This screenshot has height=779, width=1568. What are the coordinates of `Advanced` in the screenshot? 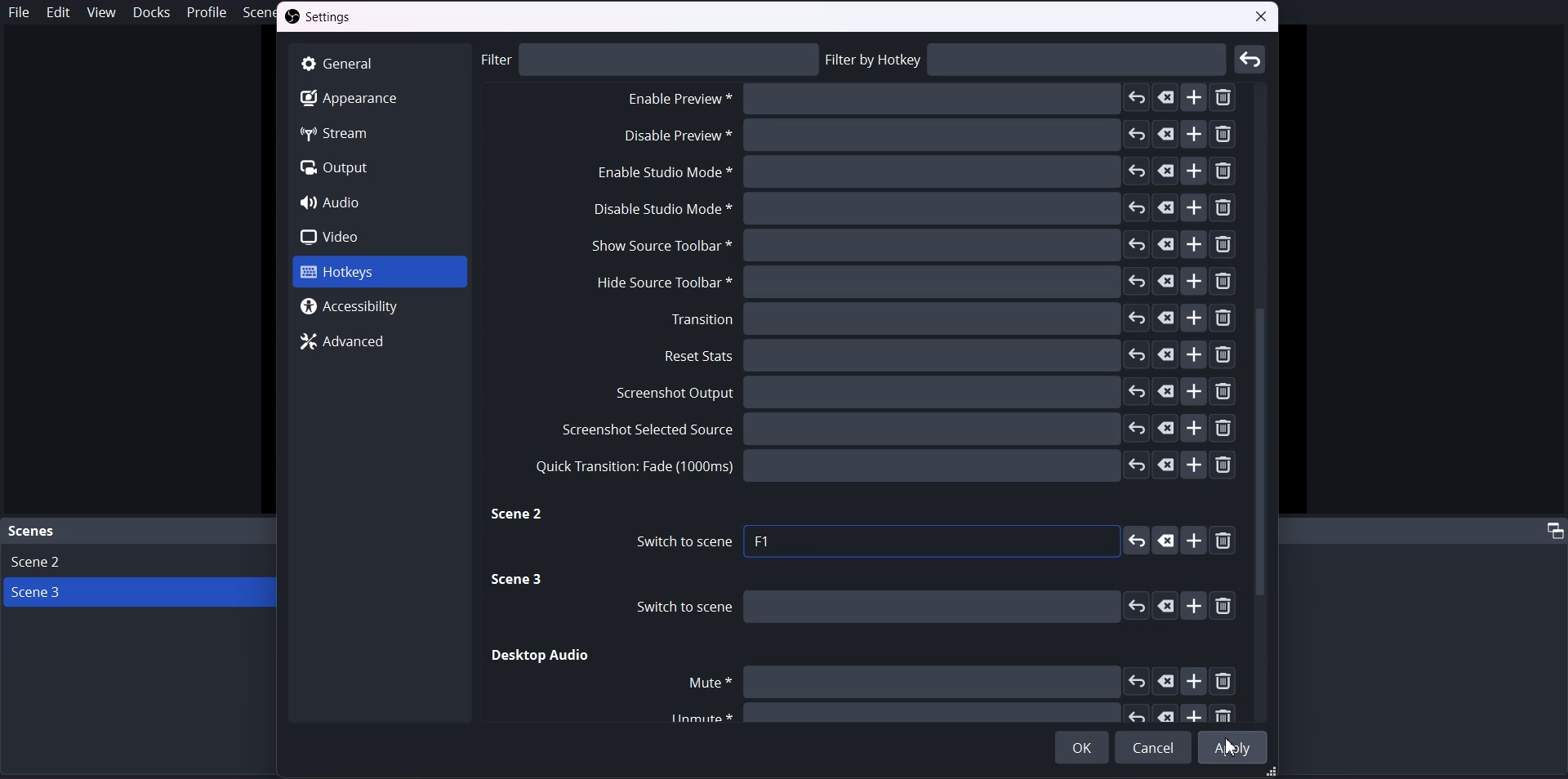 It's located at (381, 340).